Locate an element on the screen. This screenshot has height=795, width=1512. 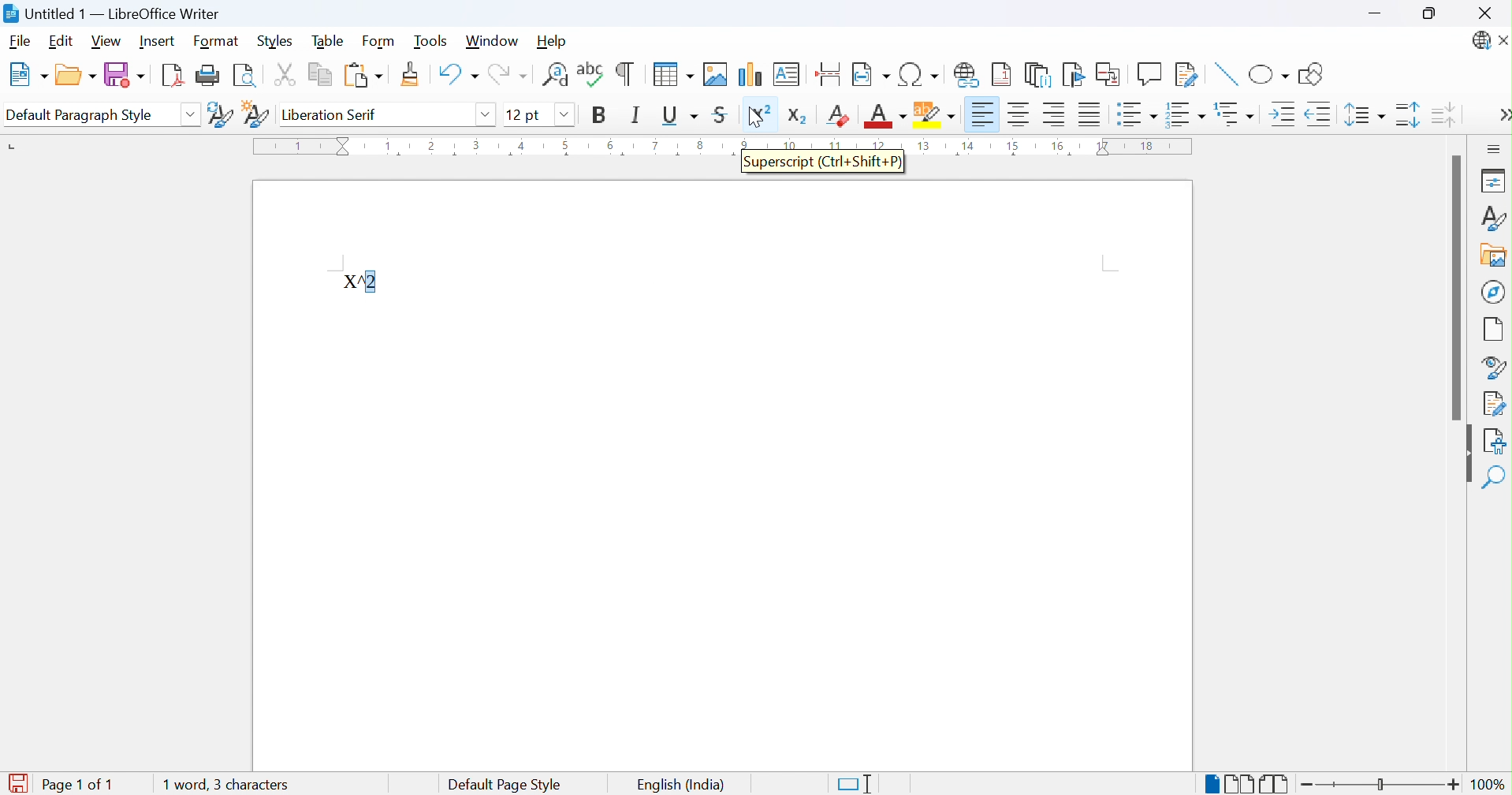
 is located at coordinates (564, 115).